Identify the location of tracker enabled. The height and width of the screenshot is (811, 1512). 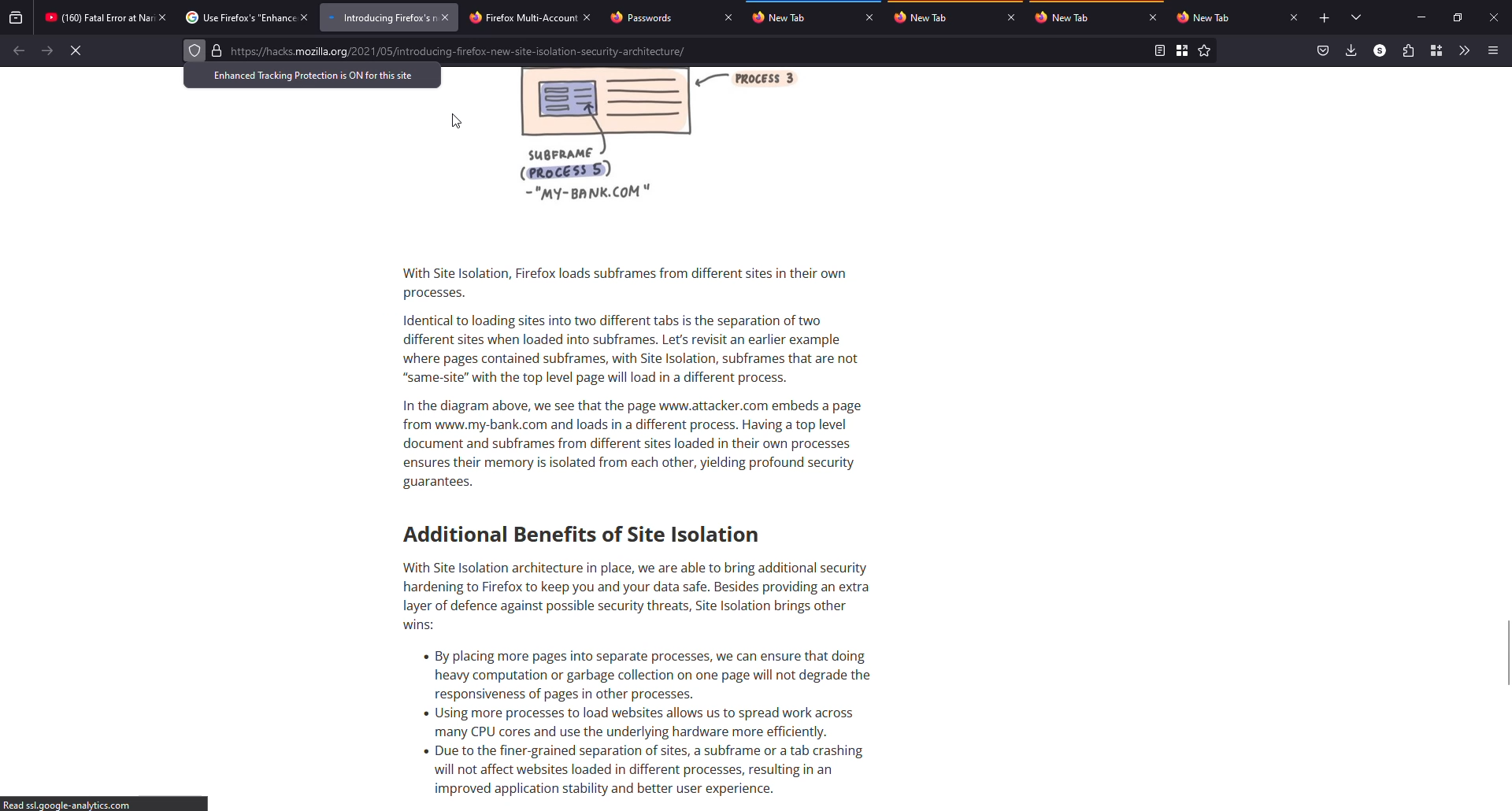
(195, 50).